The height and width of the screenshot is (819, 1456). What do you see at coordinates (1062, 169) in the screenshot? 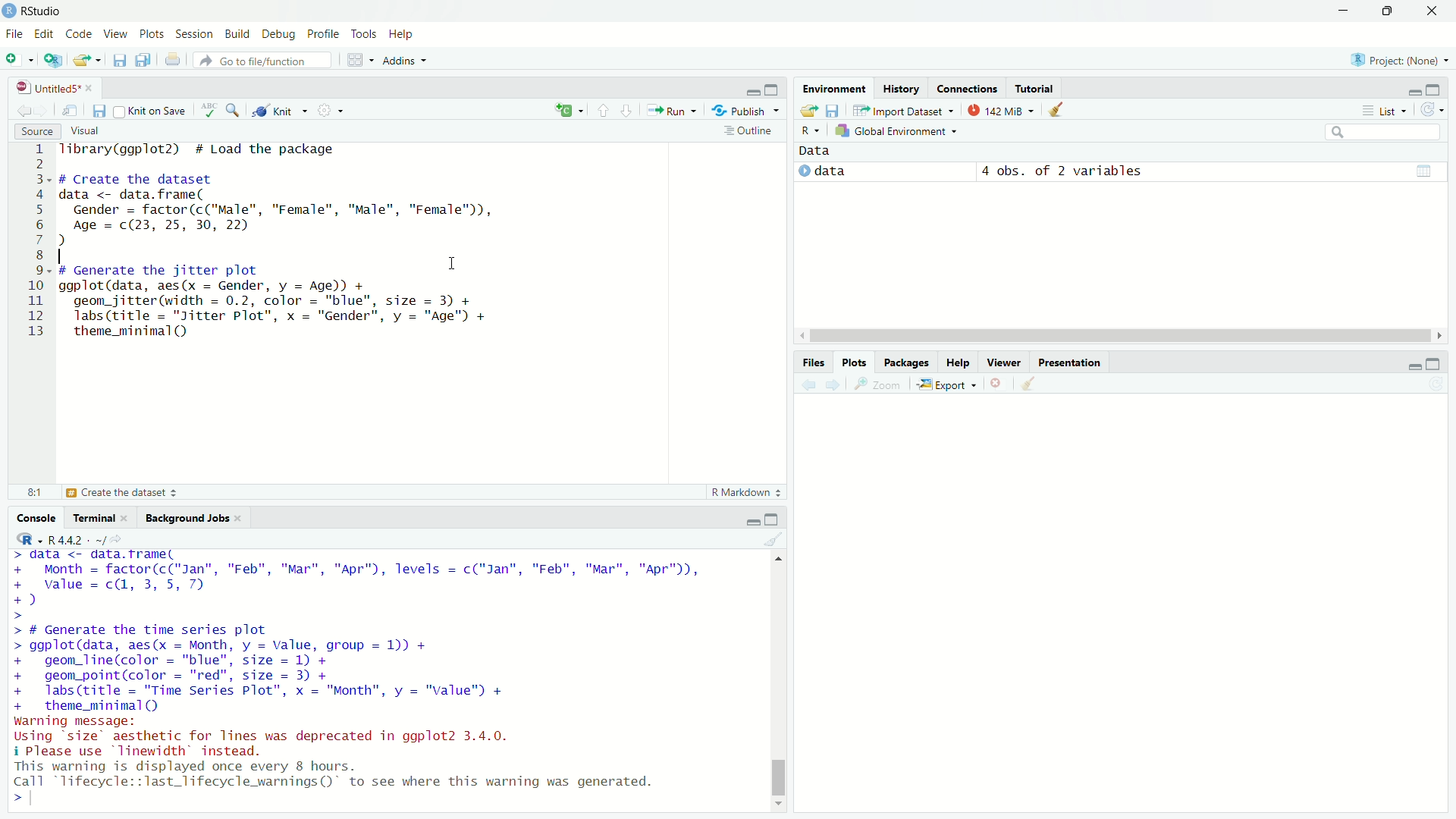
I see `4 obs. of 2 variables` at bounding box center [1062, 169].